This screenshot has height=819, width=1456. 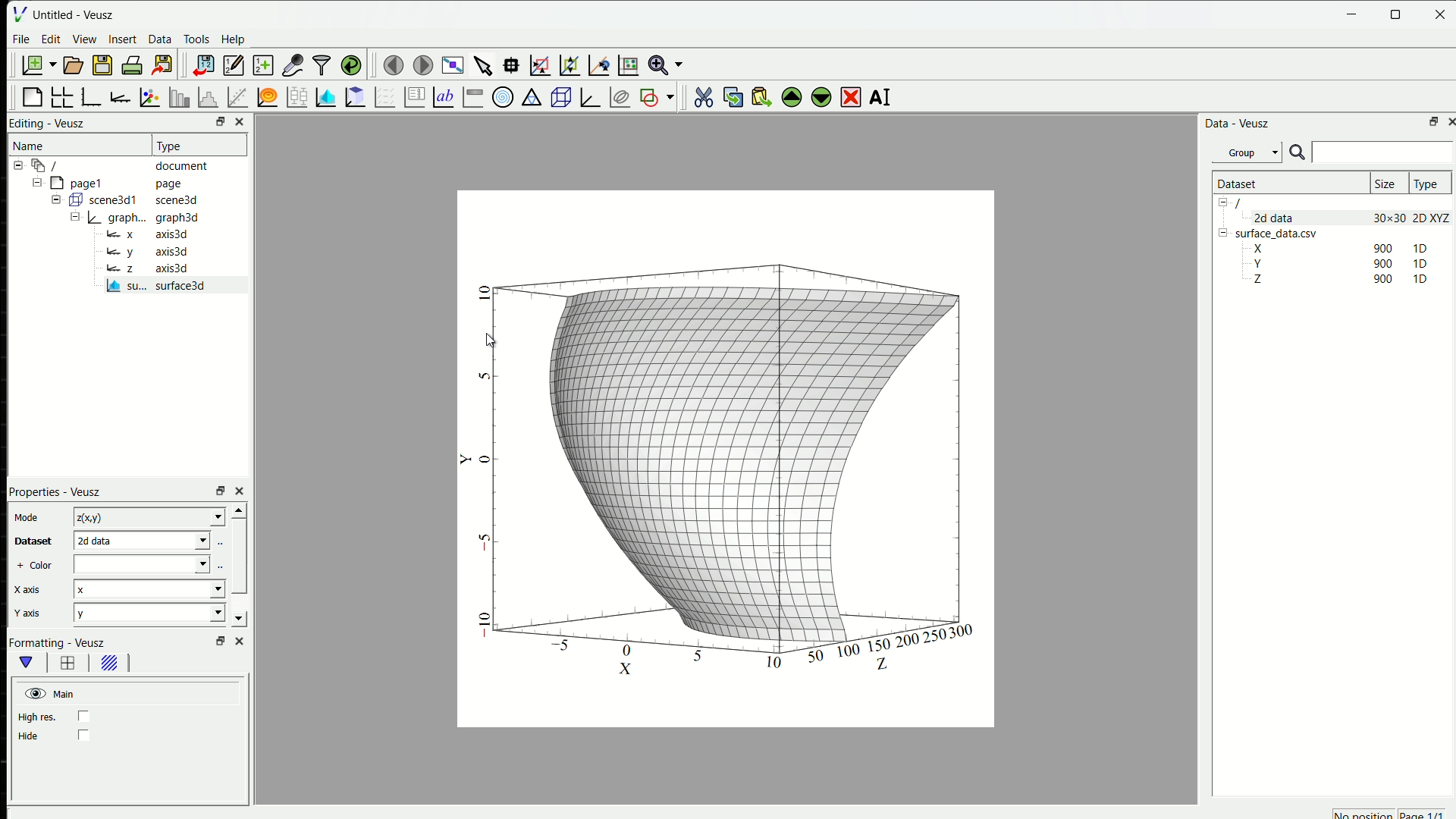 I want to click on page, so click(x=177, y=184).